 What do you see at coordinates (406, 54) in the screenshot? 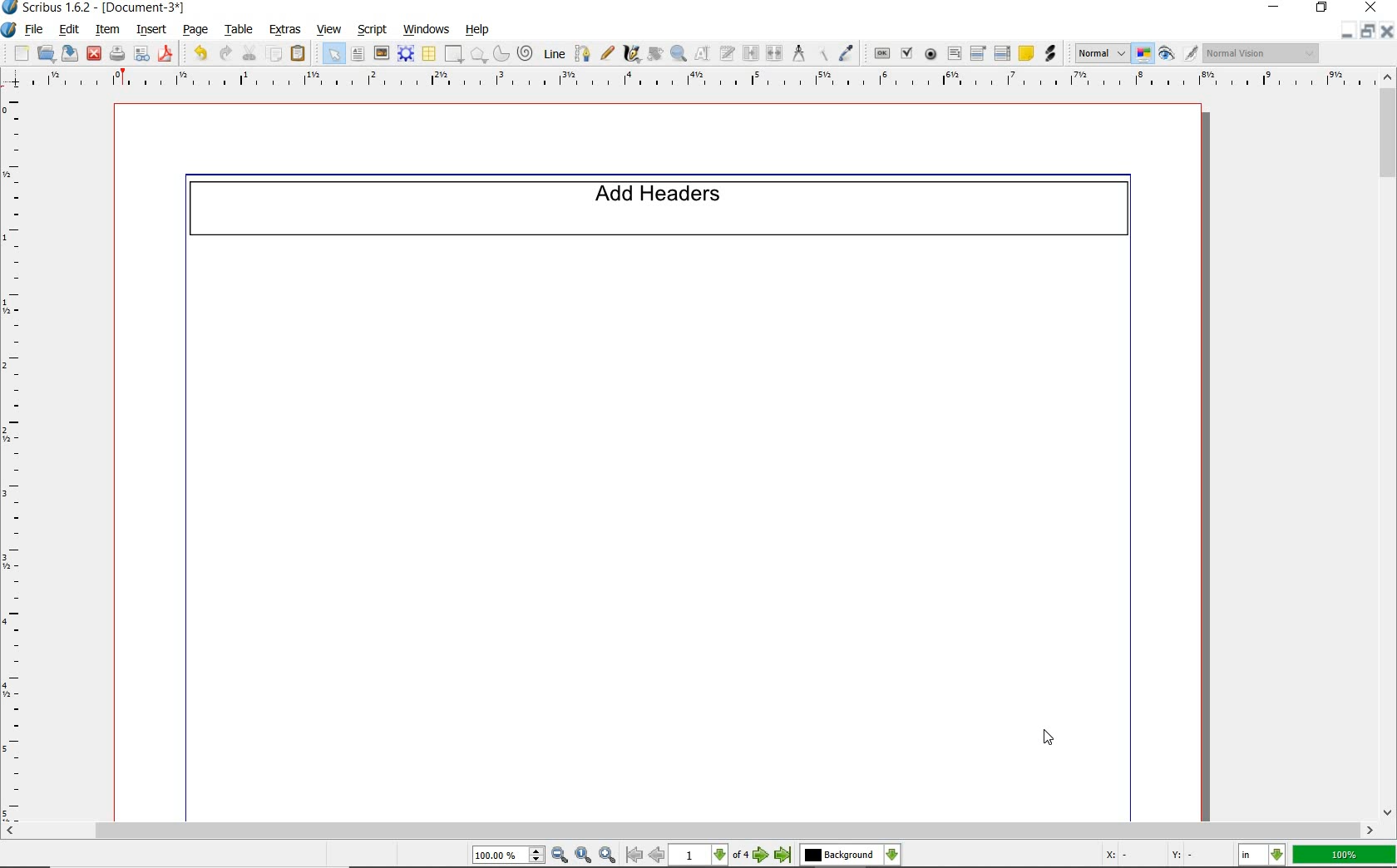
I see `render frame` at bounding box center [406, 54].